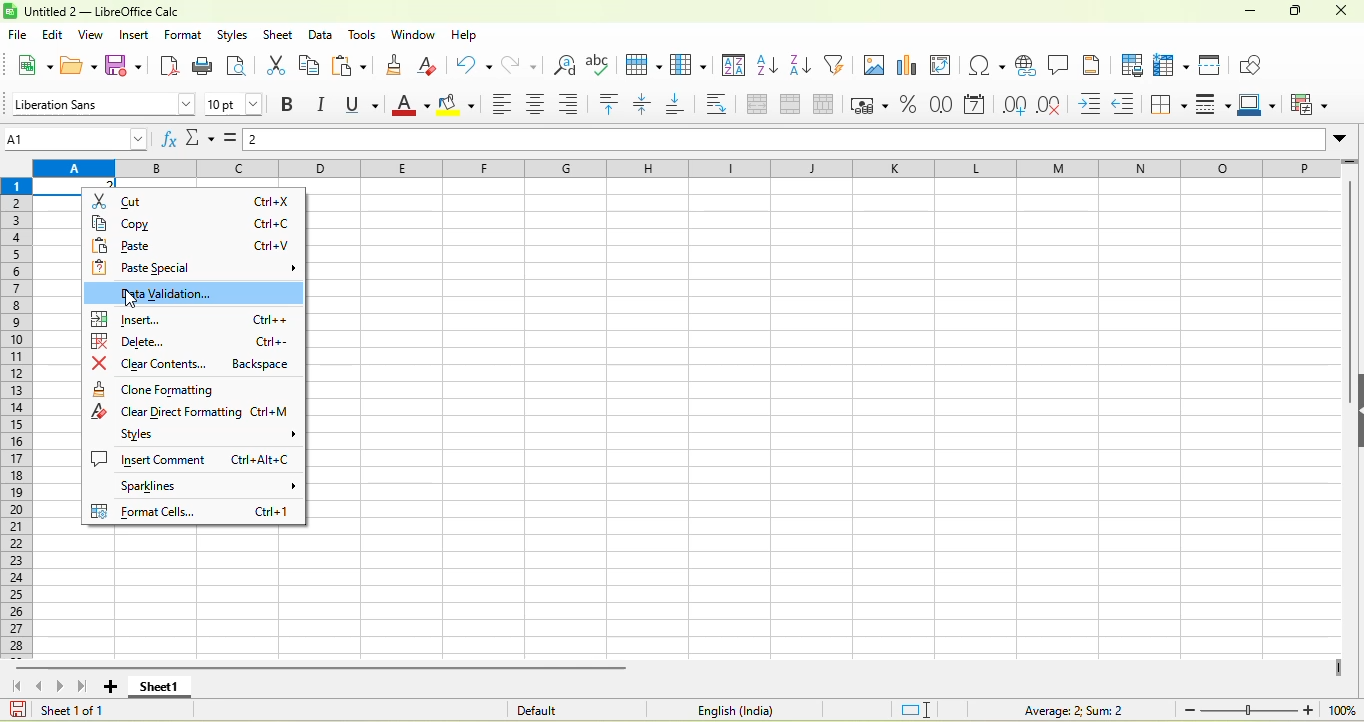  I want to click on zoom , so click(1250, 709).